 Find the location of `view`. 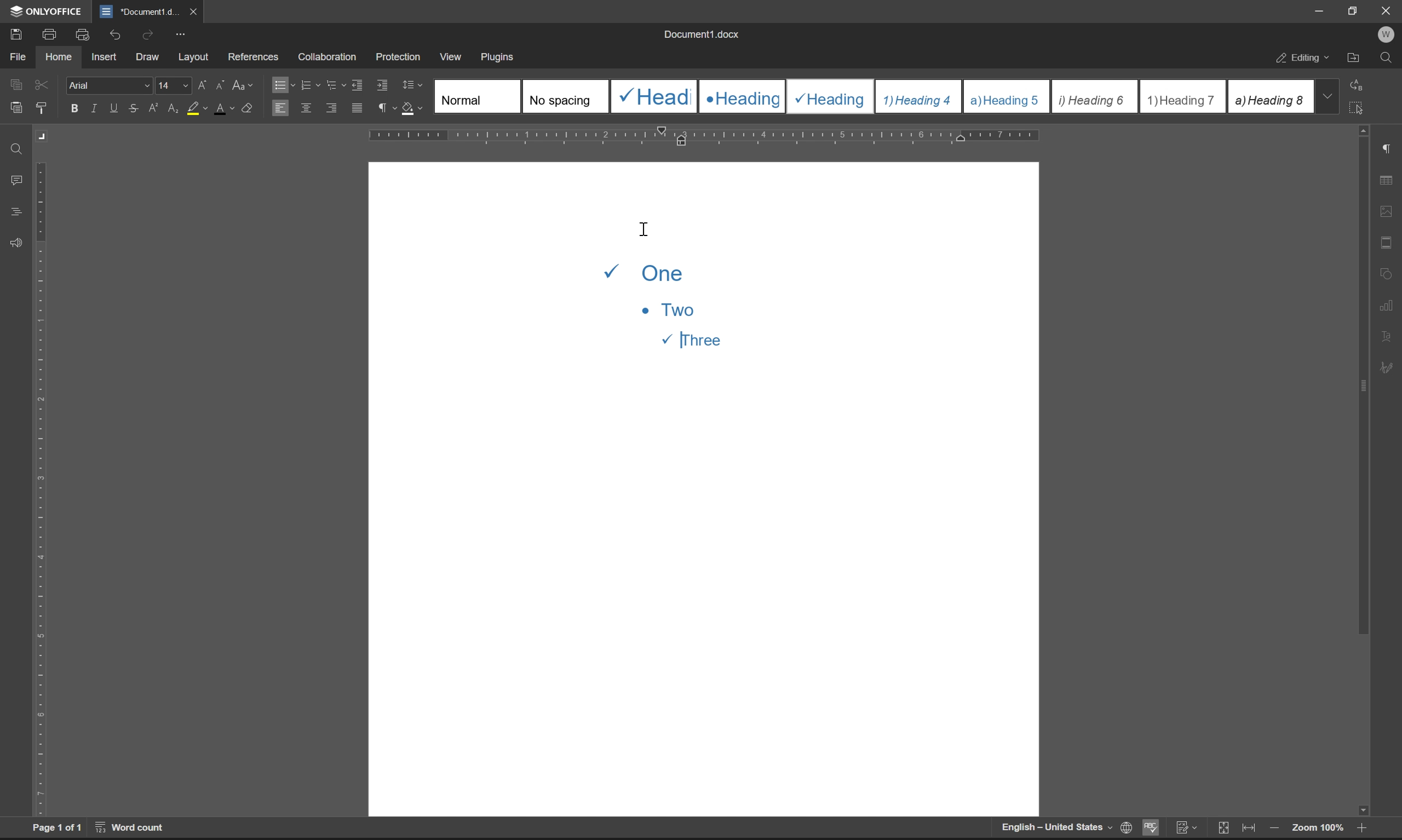

view is located at coordinates (449, 54).